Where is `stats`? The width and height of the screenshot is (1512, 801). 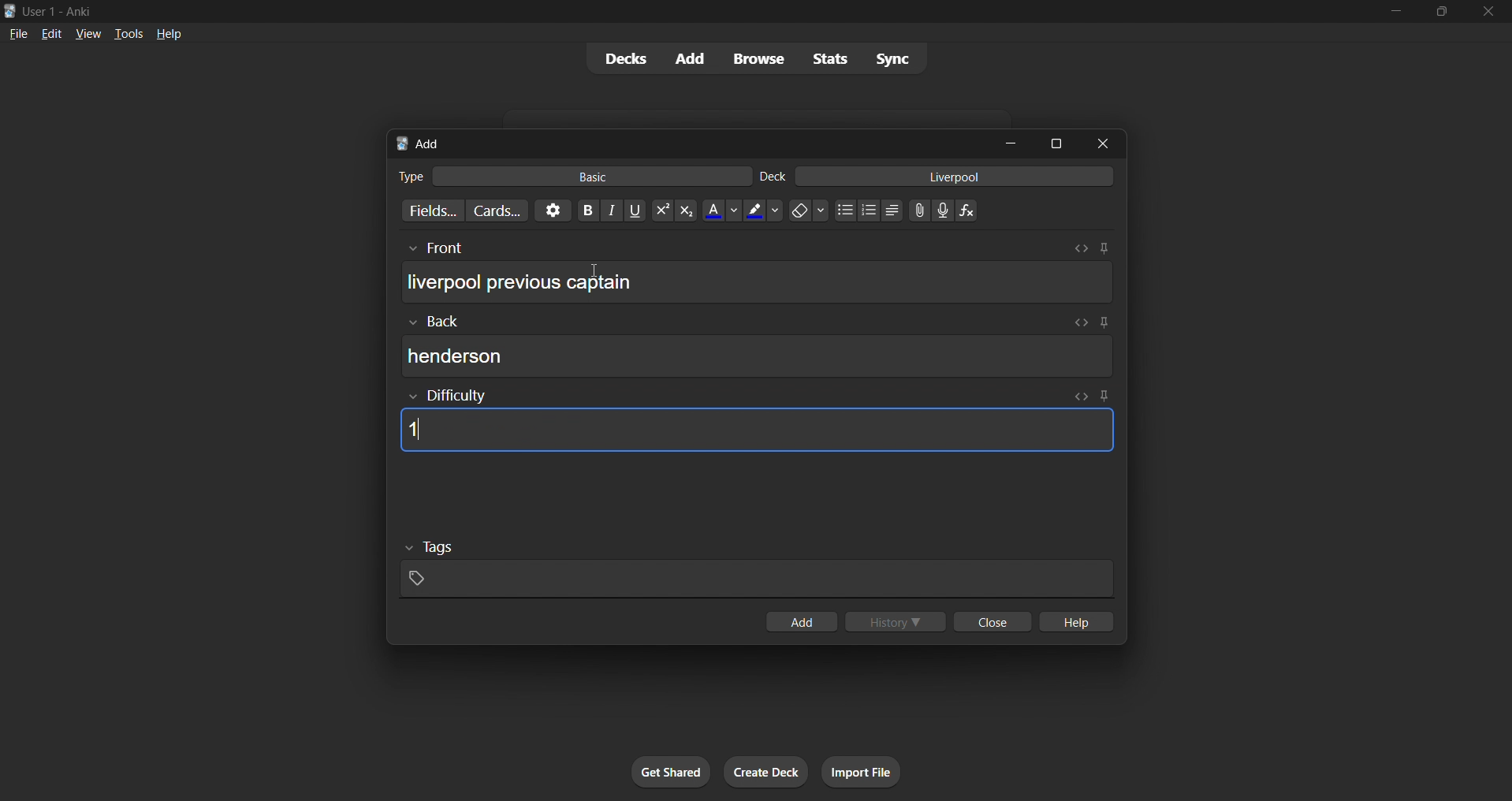
stats is located at coordinates (833, 58).